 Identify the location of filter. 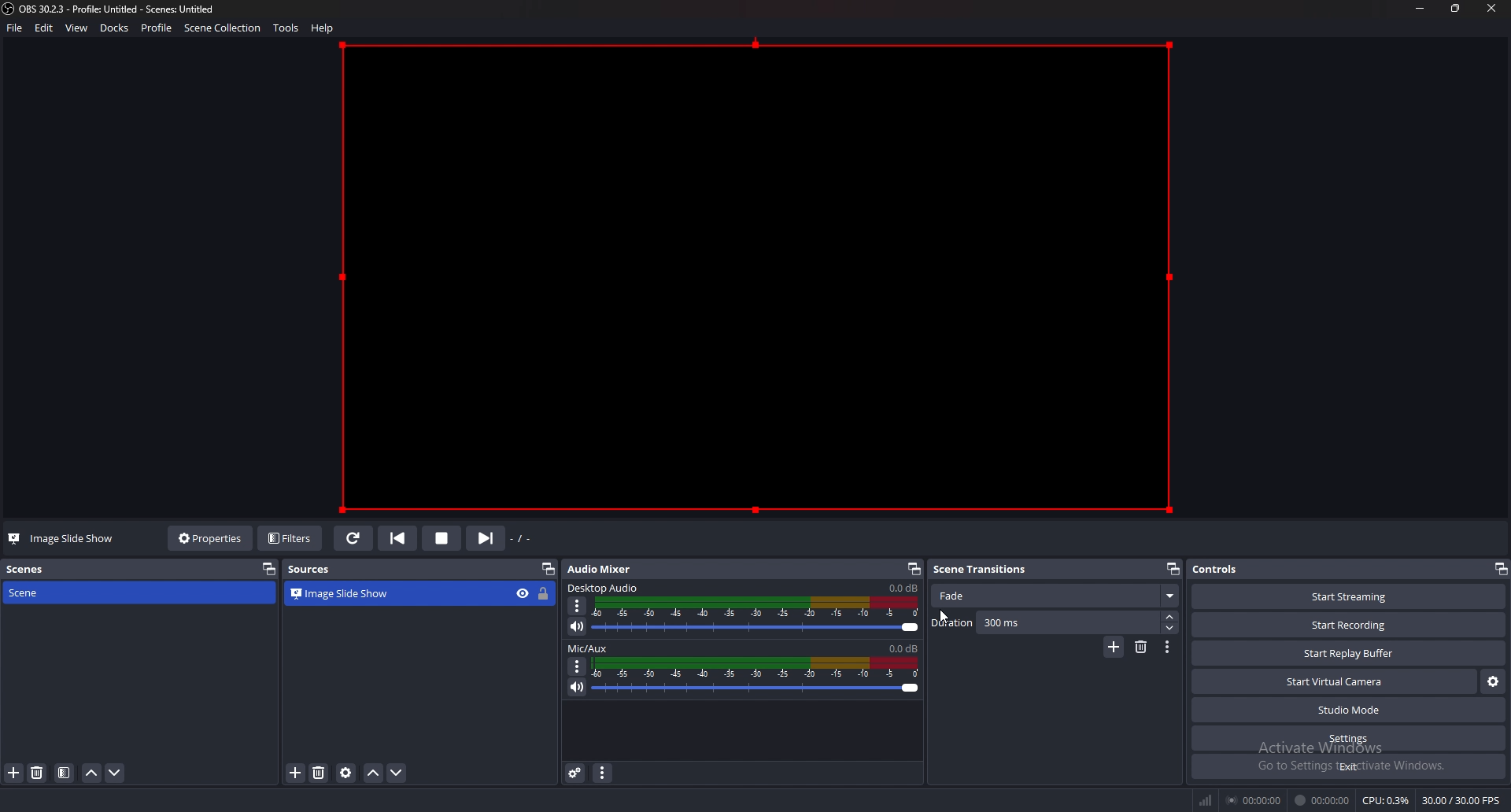
(65, 773).